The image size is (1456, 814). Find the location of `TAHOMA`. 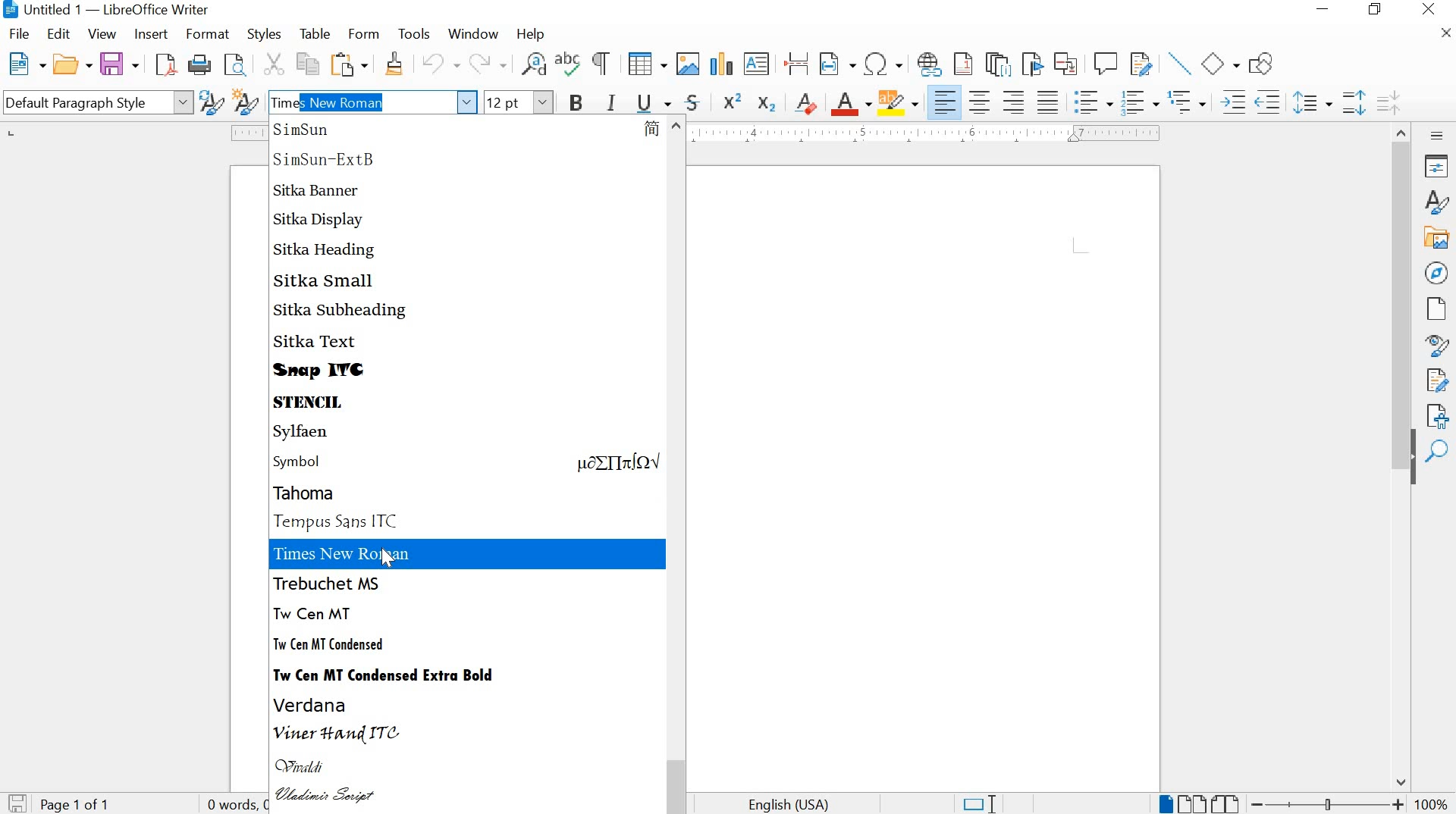

TAHOMA is located at coordinates (308, 494).